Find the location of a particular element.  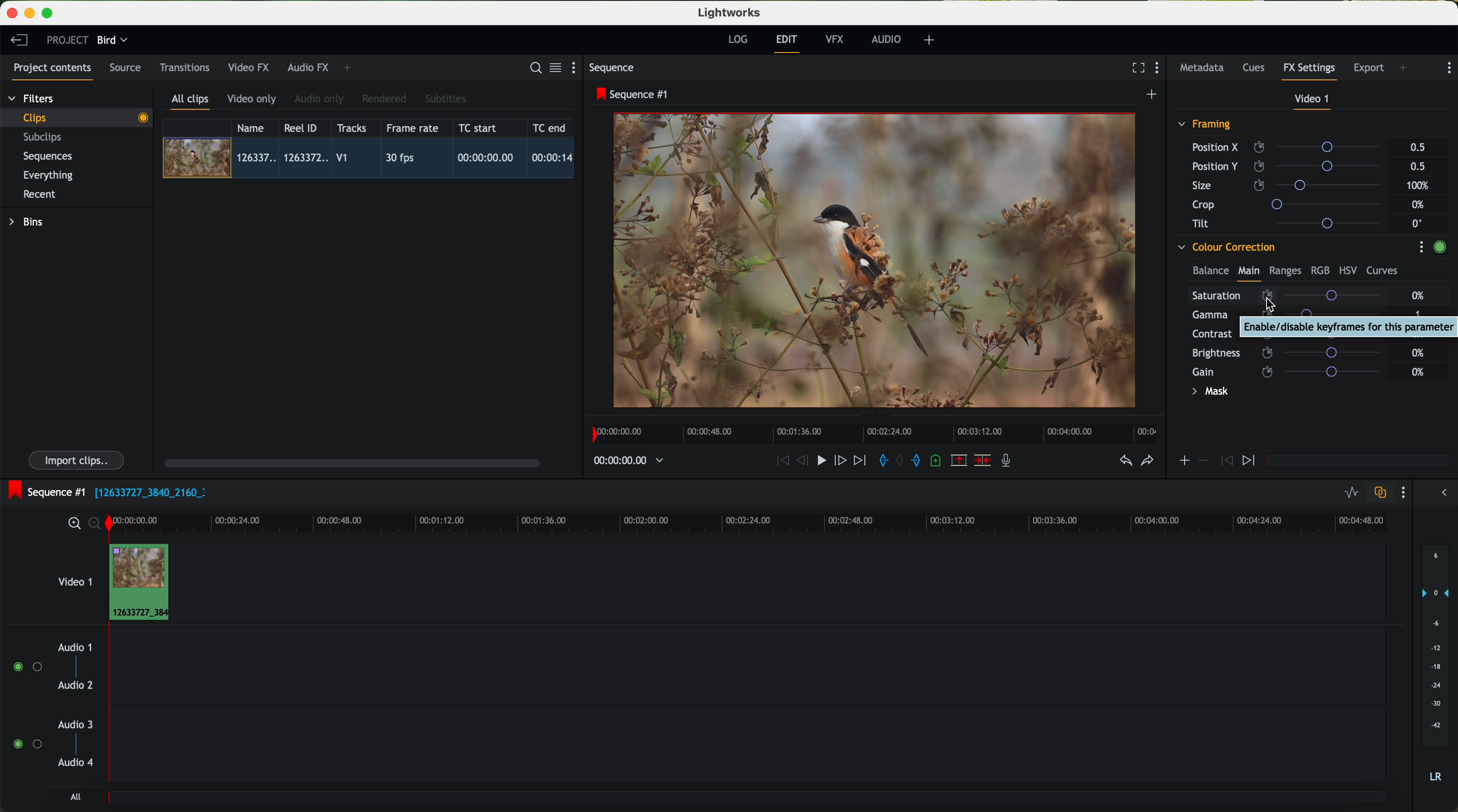

0.5 is located at coordinates (1418, 148).